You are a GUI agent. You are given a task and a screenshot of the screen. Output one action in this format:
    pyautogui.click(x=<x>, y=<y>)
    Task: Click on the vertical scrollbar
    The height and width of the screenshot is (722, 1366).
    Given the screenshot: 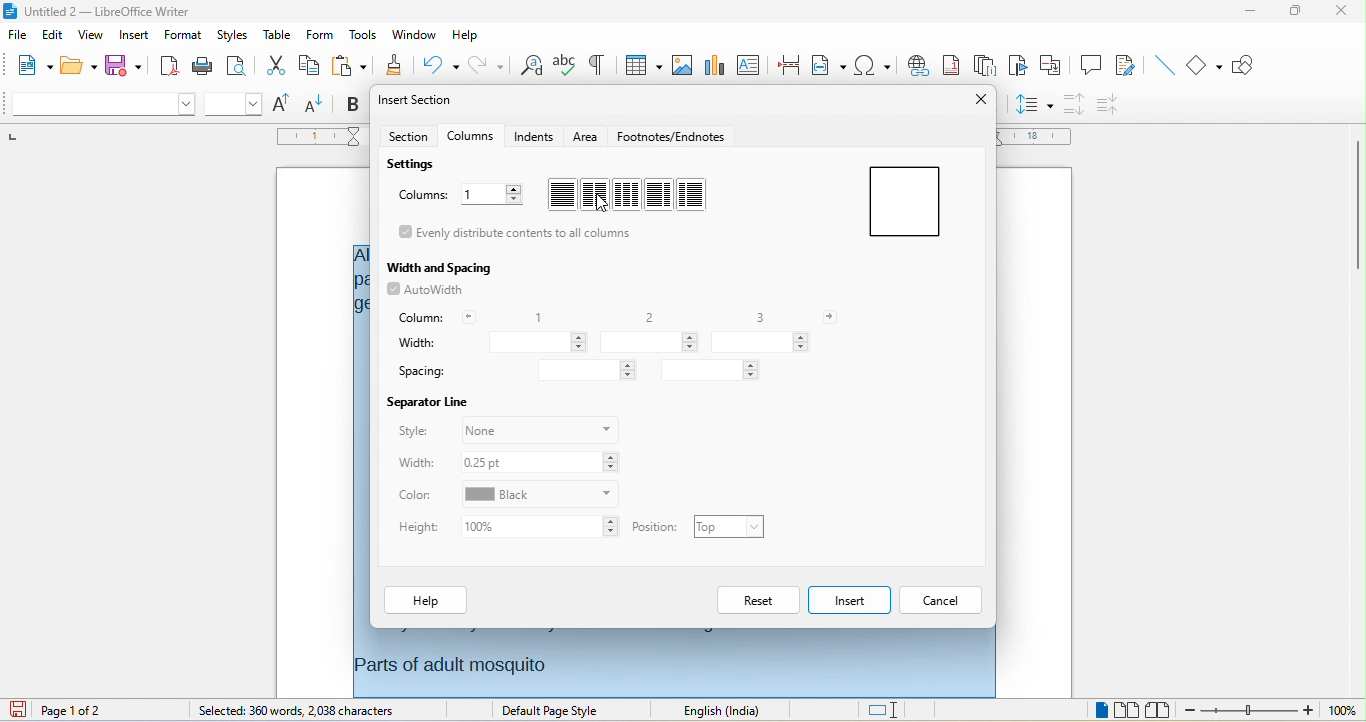 What is the action you would take?
    pyautogui.click(x=1359, y=204)
    